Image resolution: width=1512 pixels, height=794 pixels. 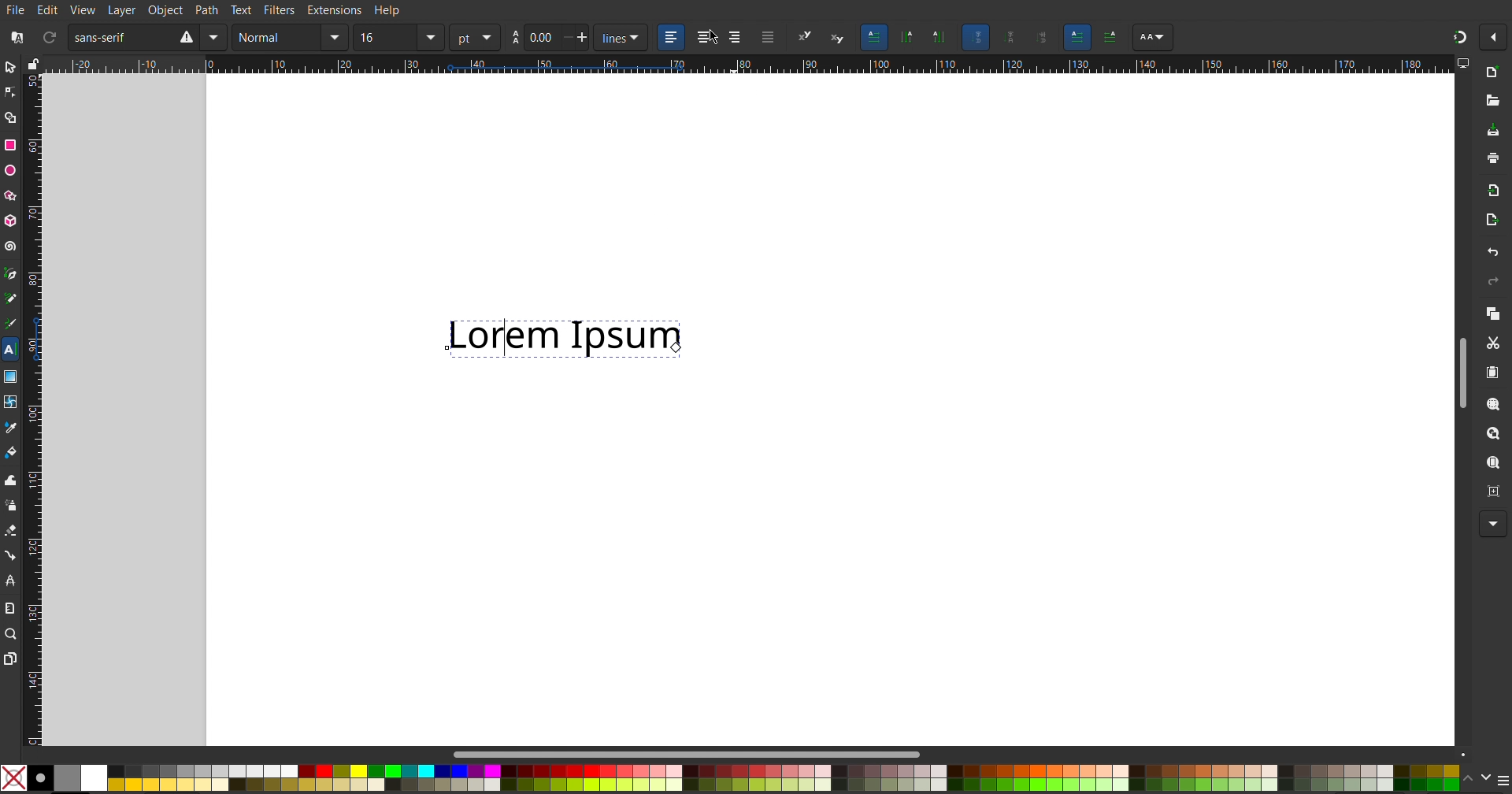 I want to click on Zoom Drawing, so click(x=1488, y=433).